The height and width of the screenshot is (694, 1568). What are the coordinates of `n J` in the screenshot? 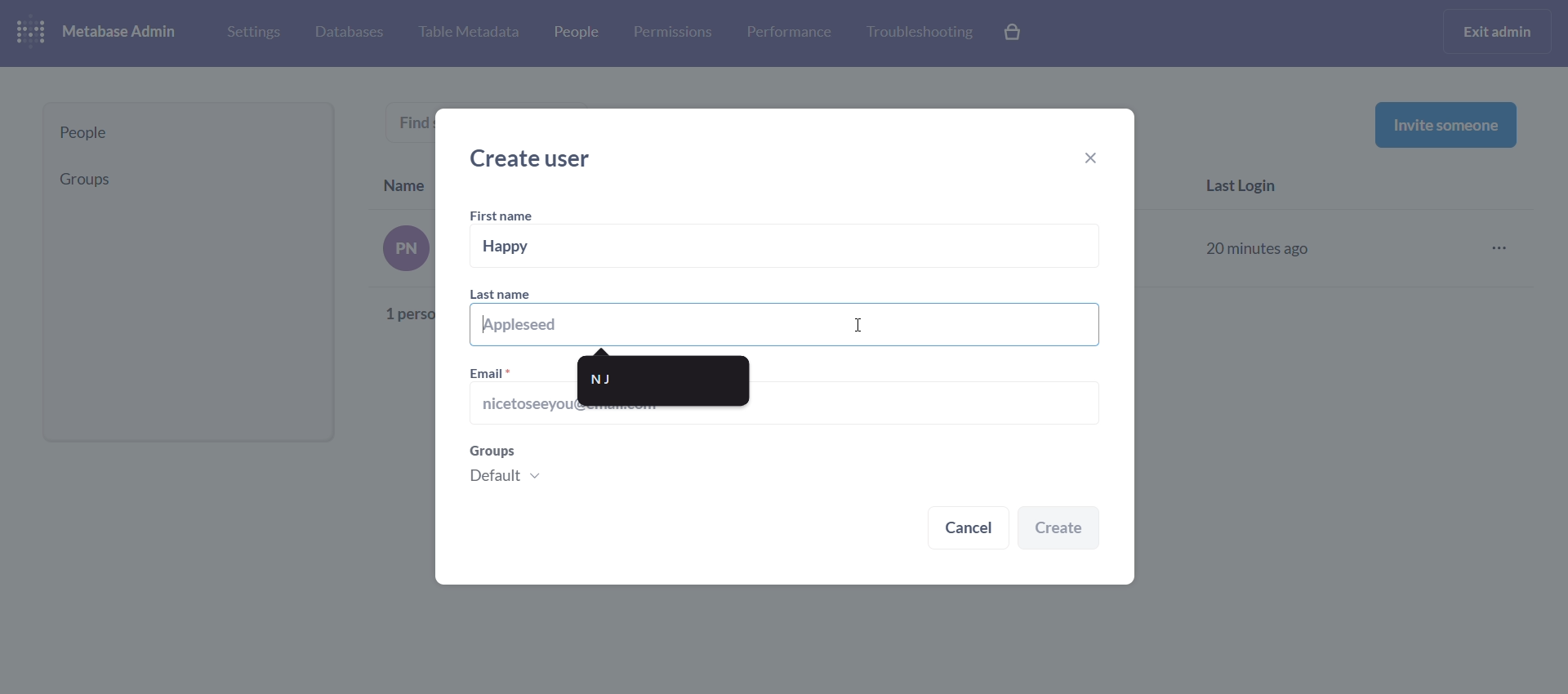 It's located at (664, 380).